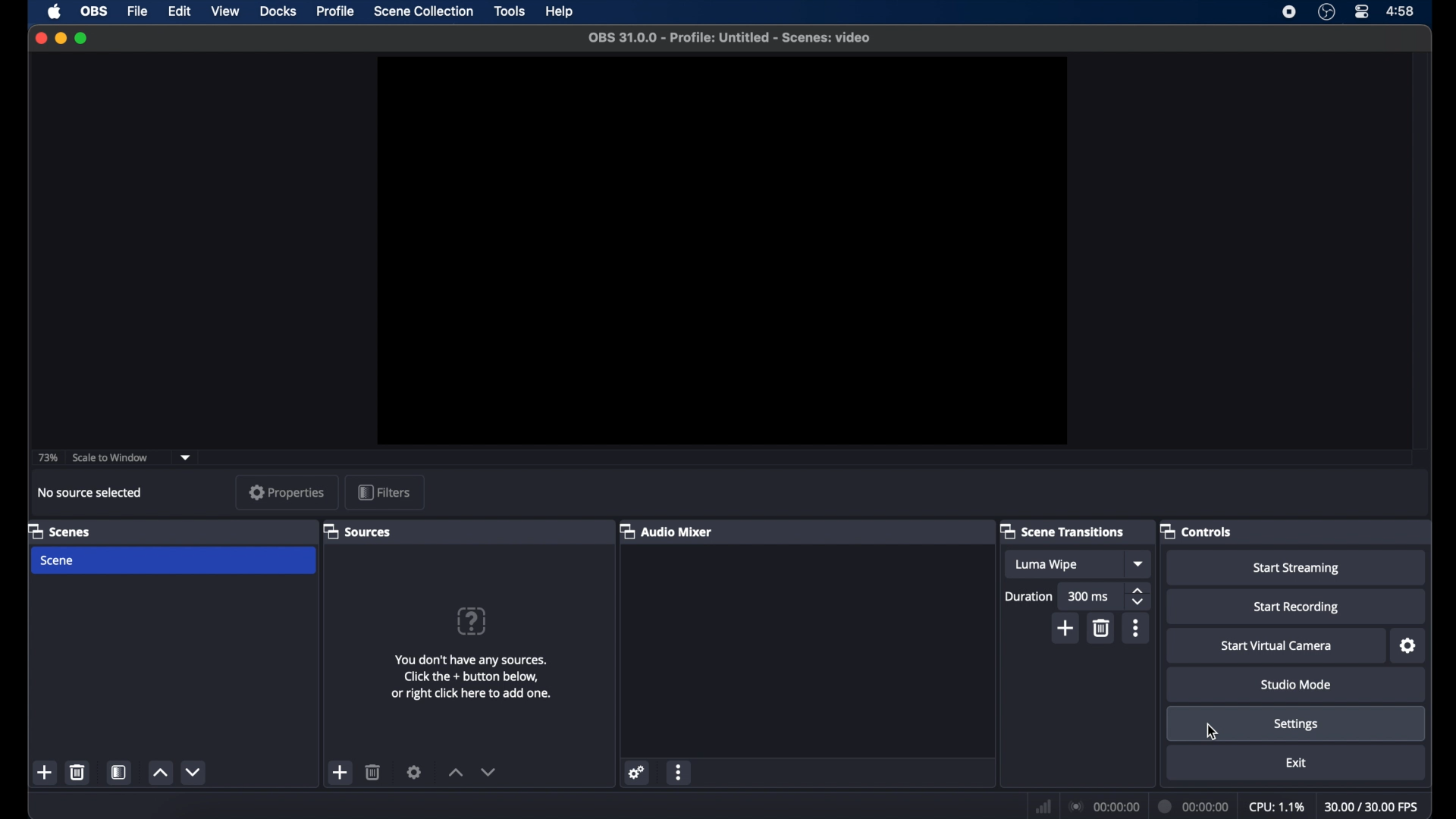 The width and height of the screenshot is (1456, 819). I want to click on 00:00:00, so click(1104, 806).